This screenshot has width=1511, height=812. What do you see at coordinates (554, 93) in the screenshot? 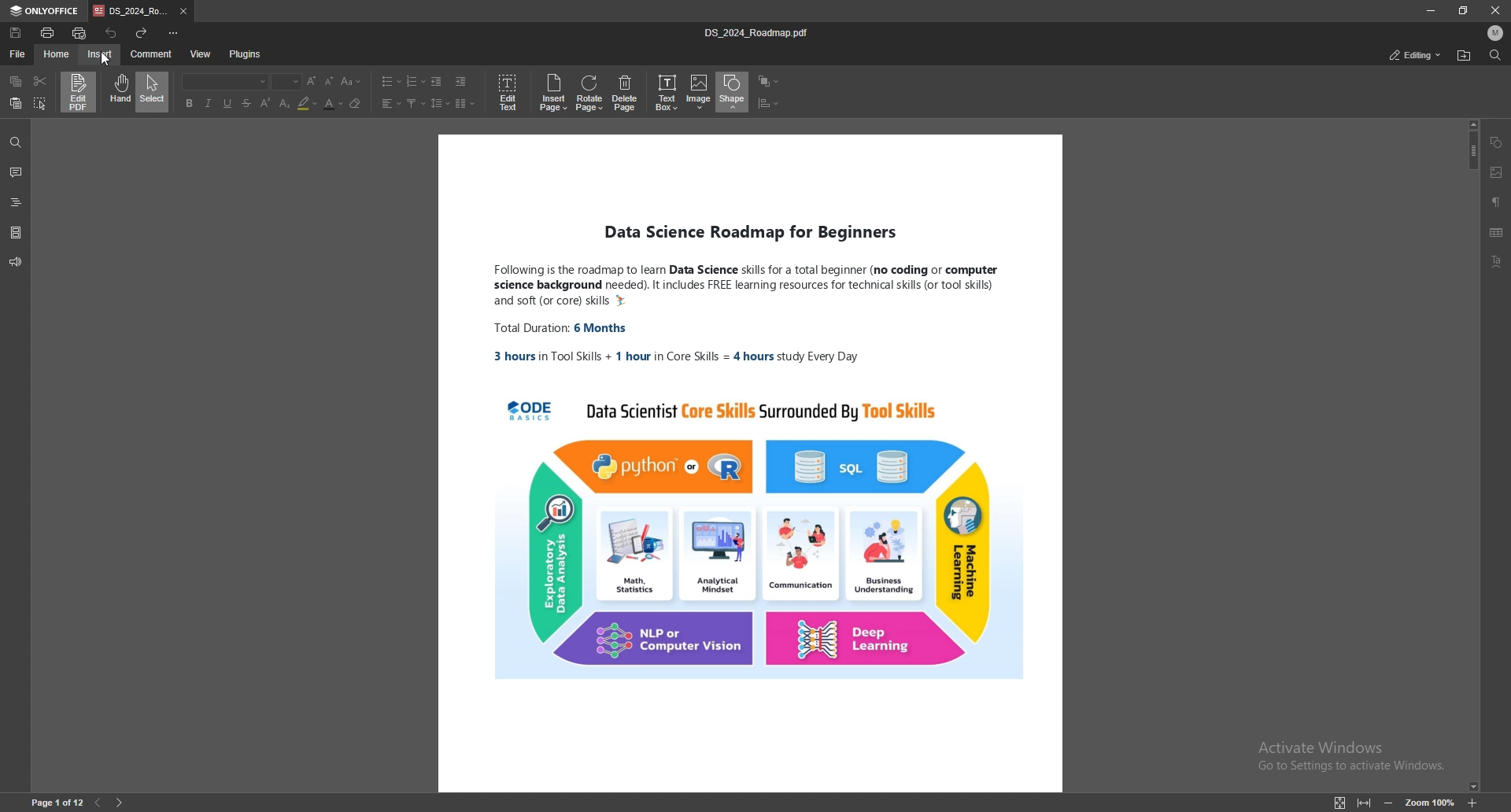
I see `insert page` at bounding box center [554, 93].